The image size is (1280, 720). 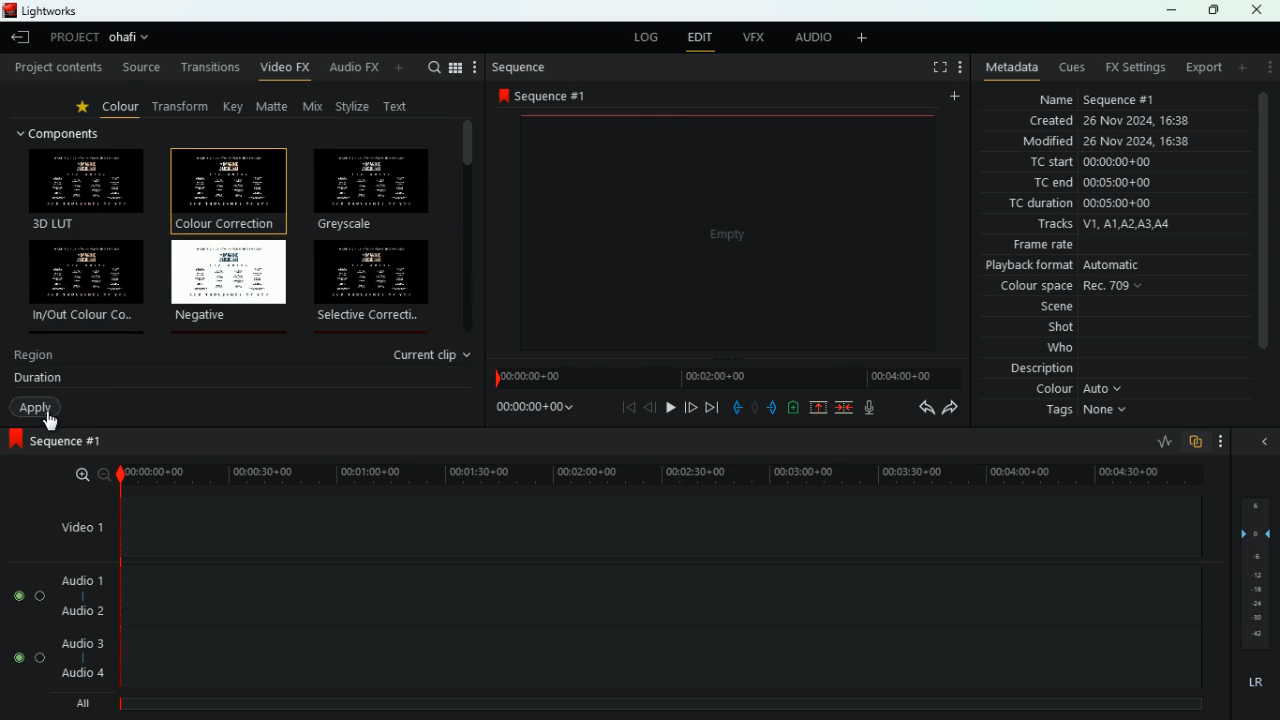 What do you see at coordinates (1089, 266) in the screenshot?
I see `playback format` at bounding box center [1089, 266].